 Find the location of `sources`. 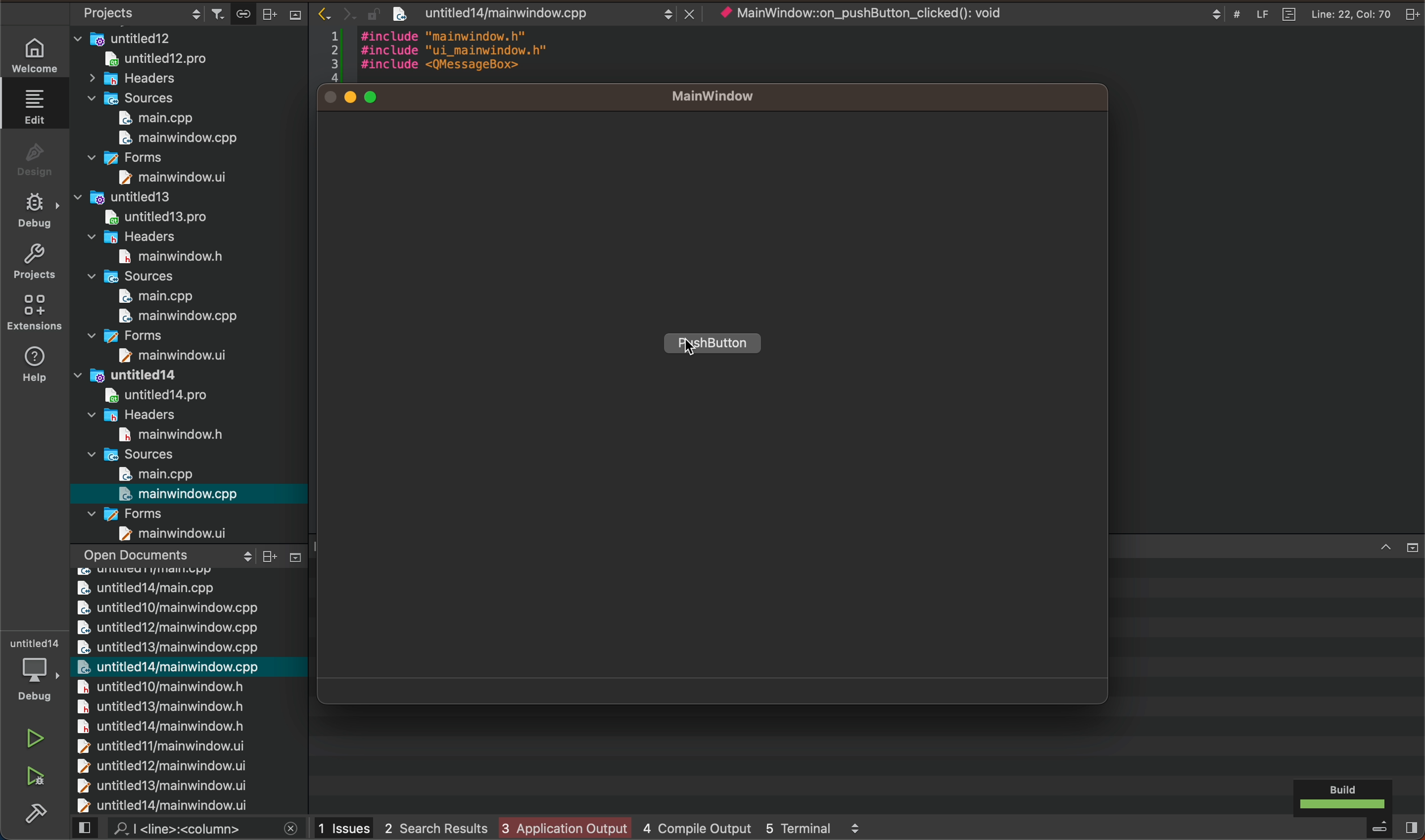

sources is located at coordinates (133, 98).